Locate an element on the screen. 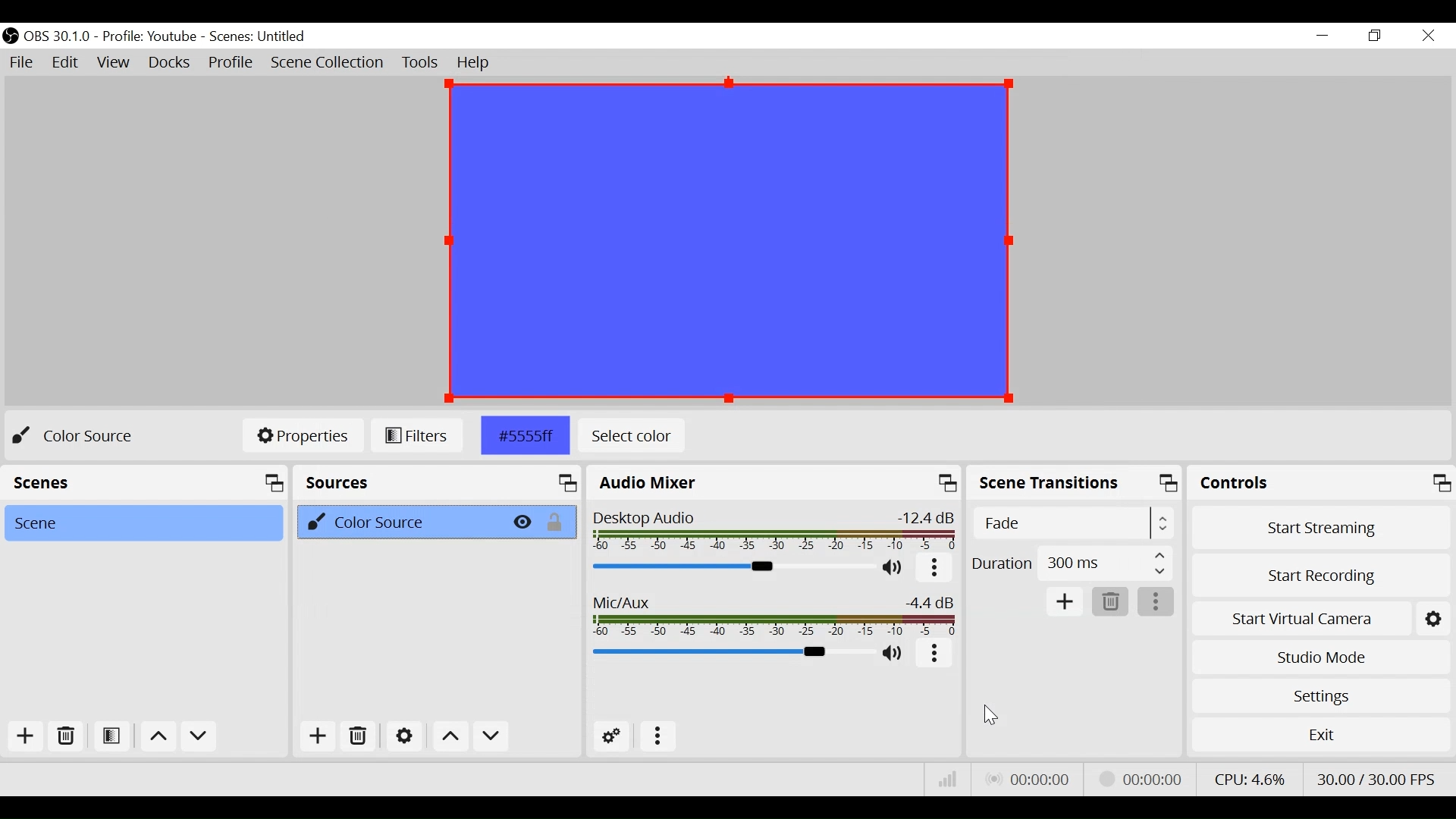  Select Scene Transition is located at coordinates (1075, 525).